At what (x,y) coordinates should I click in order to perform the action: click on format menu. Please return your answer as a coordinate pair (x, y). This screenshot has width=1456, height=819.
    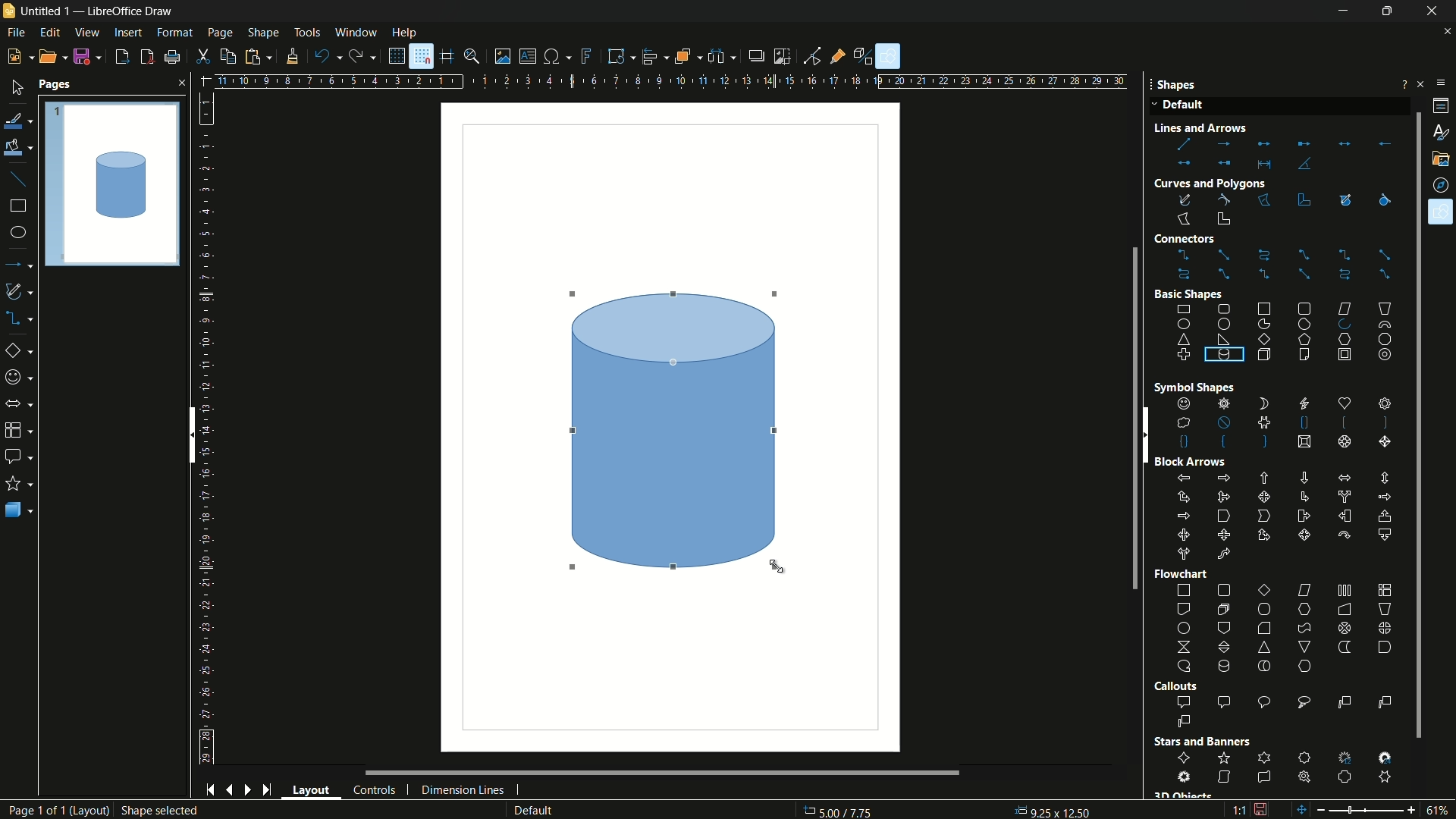
    Looking at the image, I should click on (174, 33).